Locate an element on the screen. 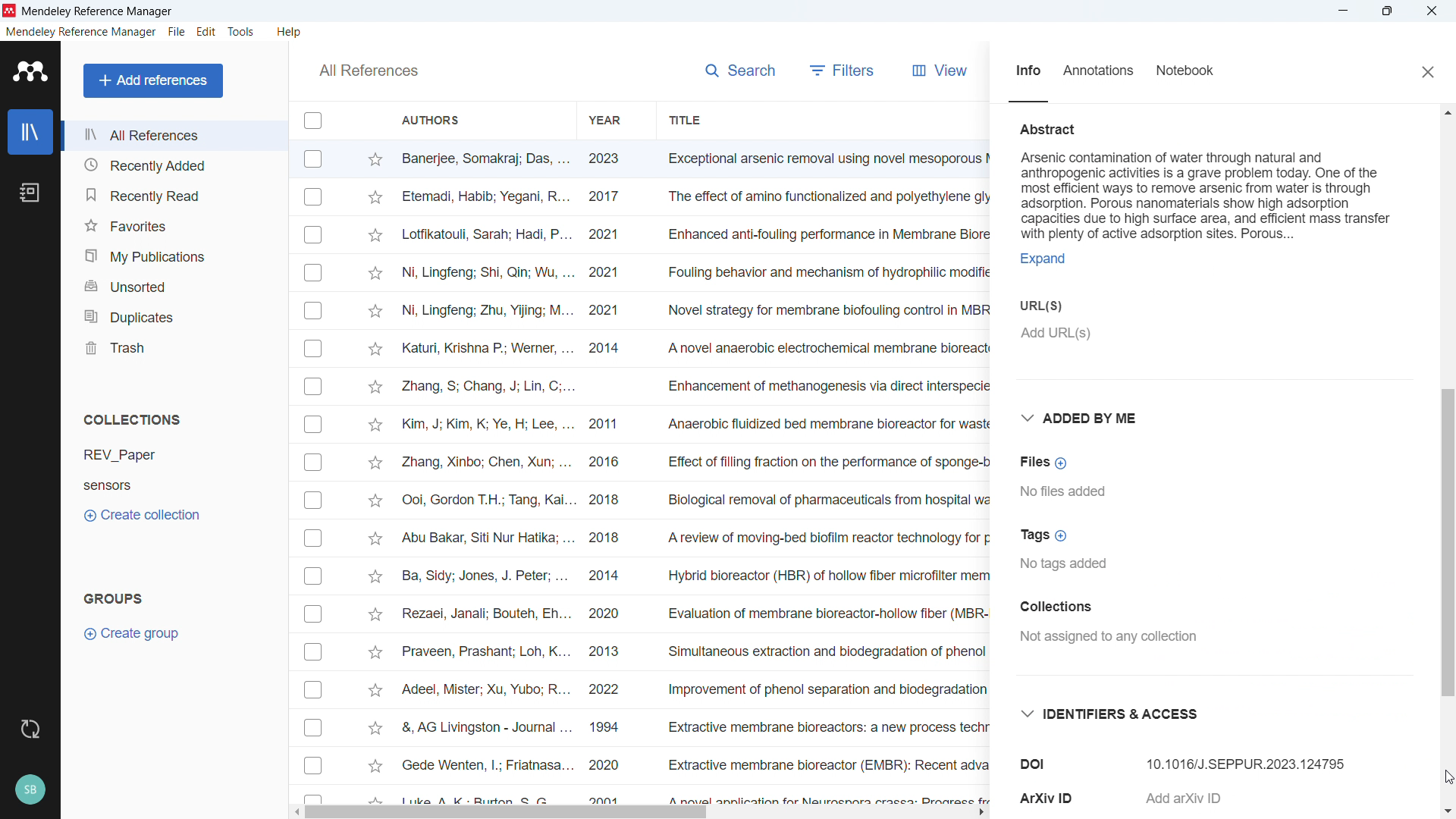  & ag livingston-journal is located at coordinates (480, 726).